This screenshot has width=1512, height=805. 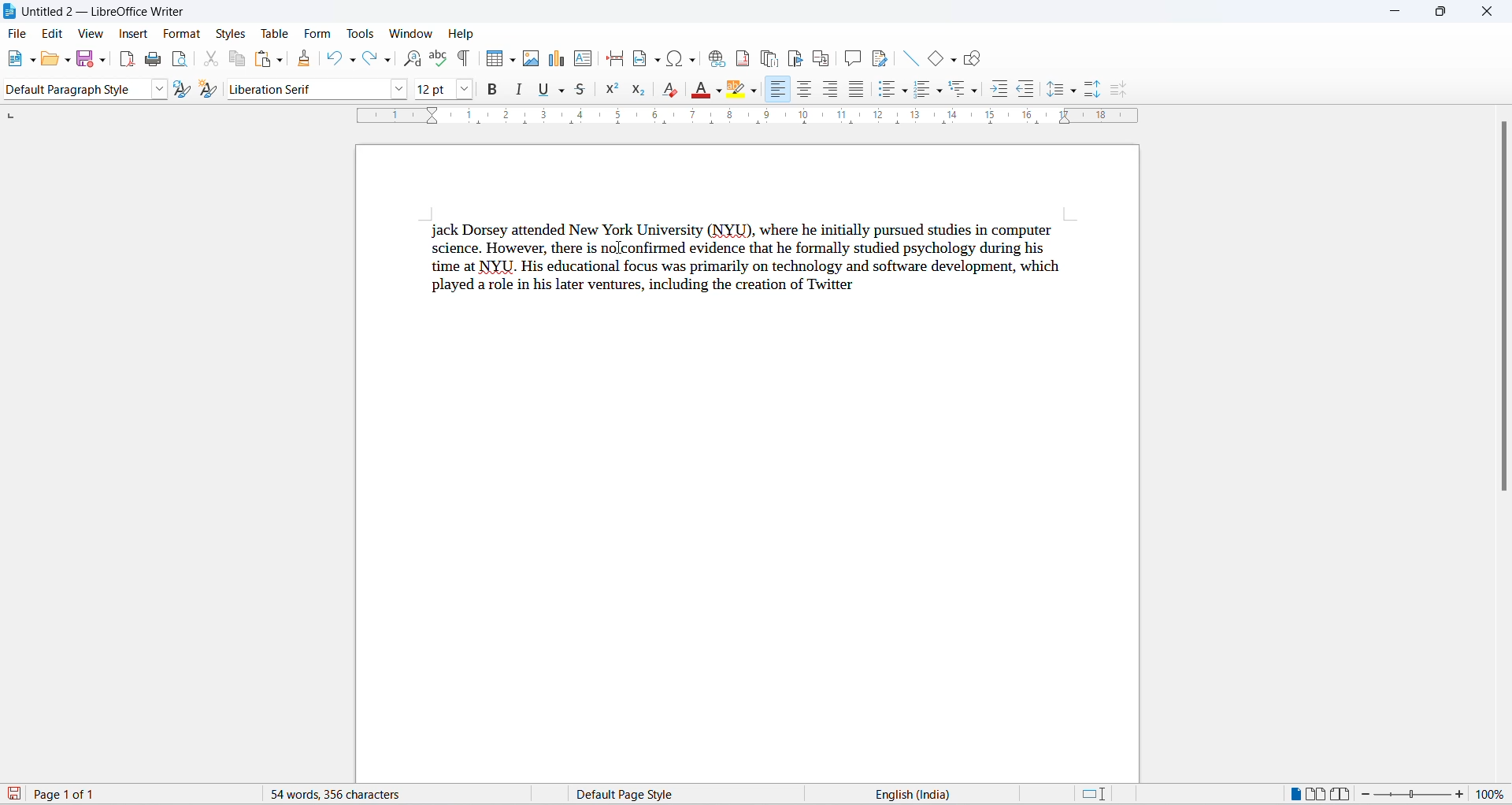 I want to click on insert chart, so click(x=559, y=59).